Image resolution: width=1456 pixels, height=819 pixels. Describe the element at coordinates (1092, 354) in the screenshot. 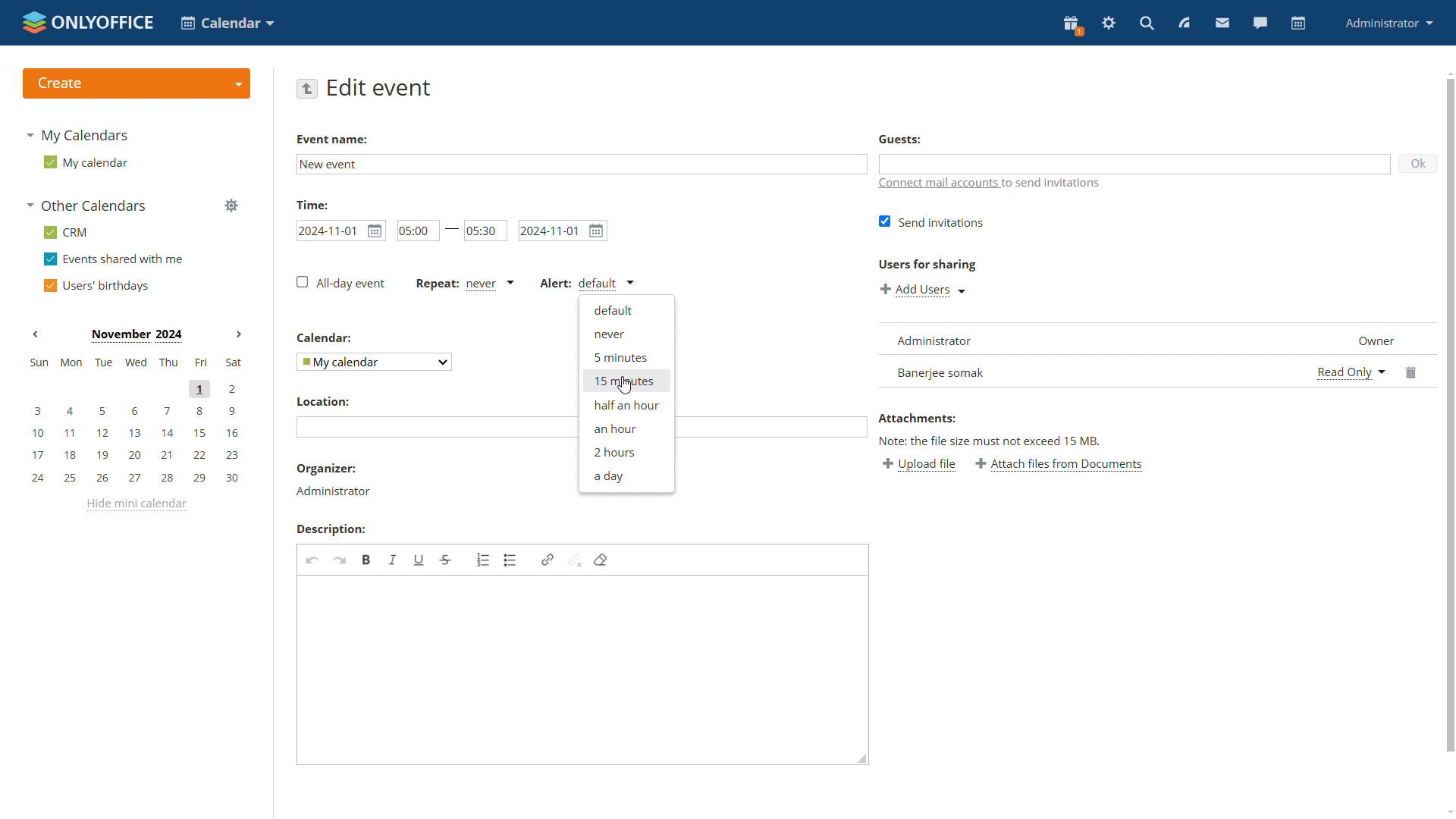

I see `list of invitees` at that location.